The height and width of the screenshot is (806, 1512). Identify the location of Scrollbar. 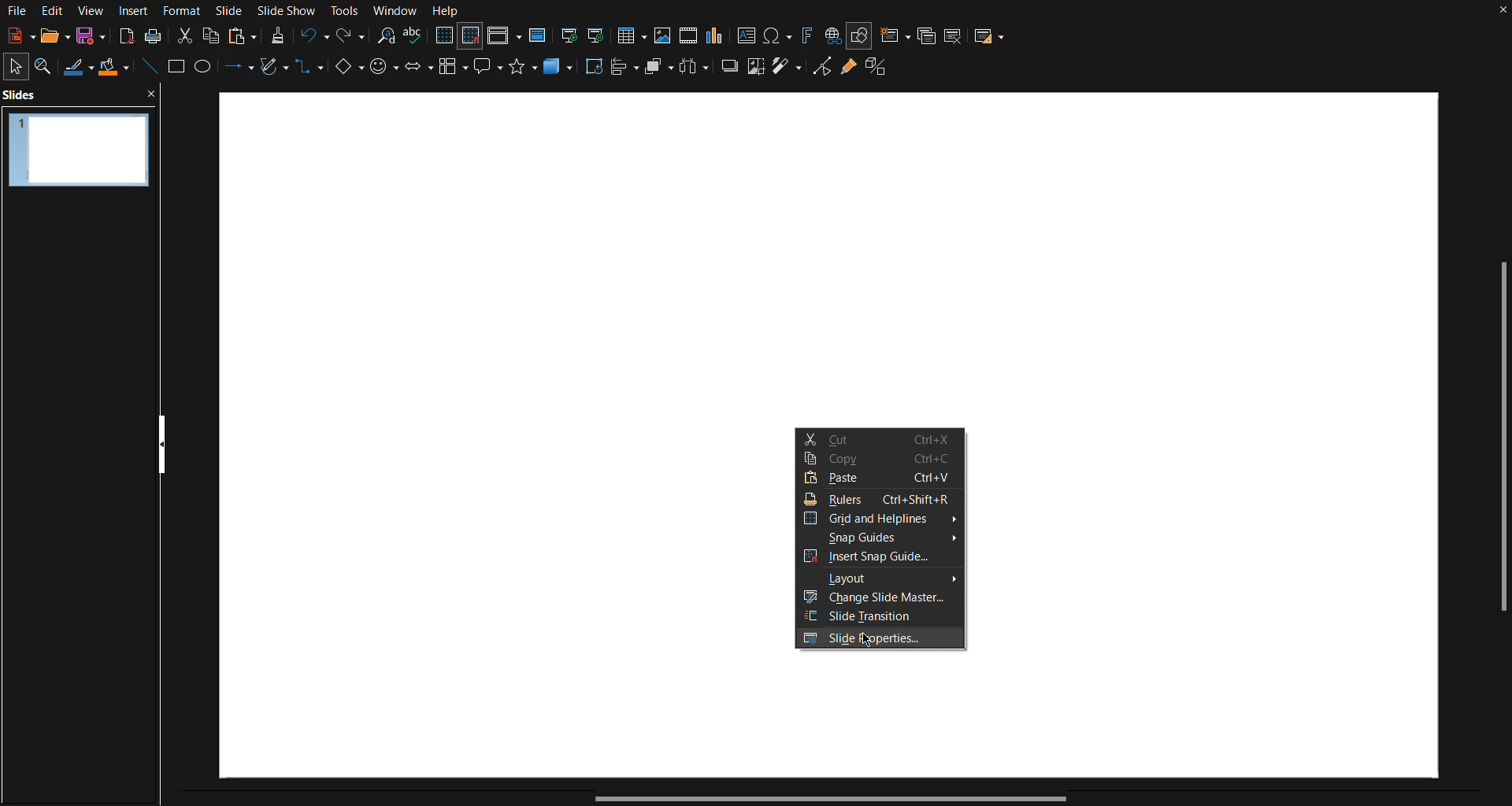
(1502, 442).